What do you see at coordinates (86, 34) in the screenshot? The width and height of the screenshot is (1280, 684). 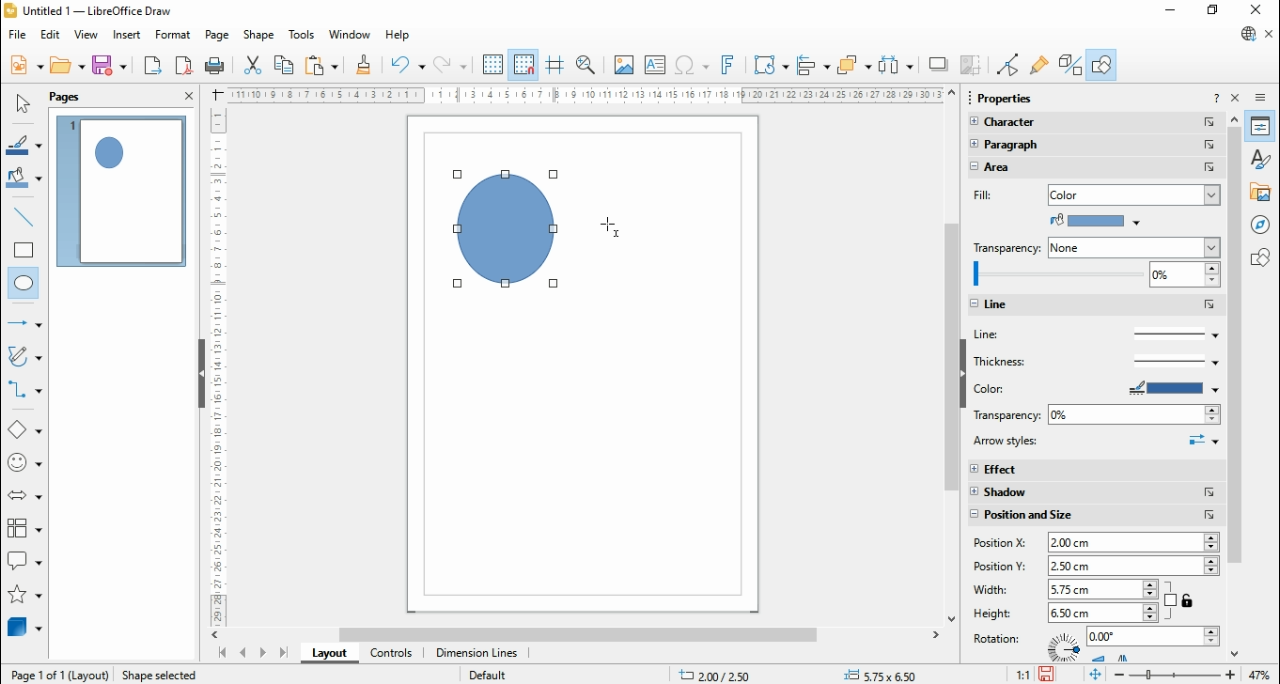 I see `view` at bounding box center [86, 34].